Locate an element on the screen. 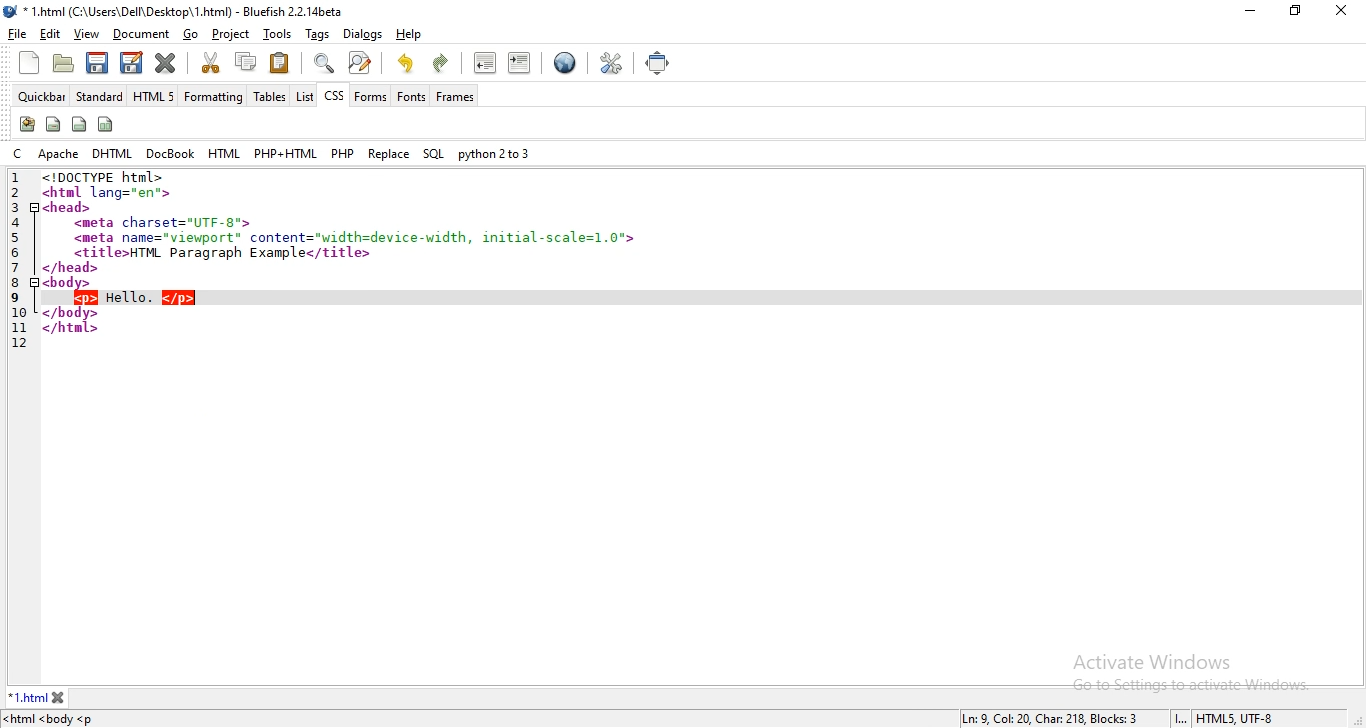 The image size is (1366, 728). tables is located at coordinates (270, 95).